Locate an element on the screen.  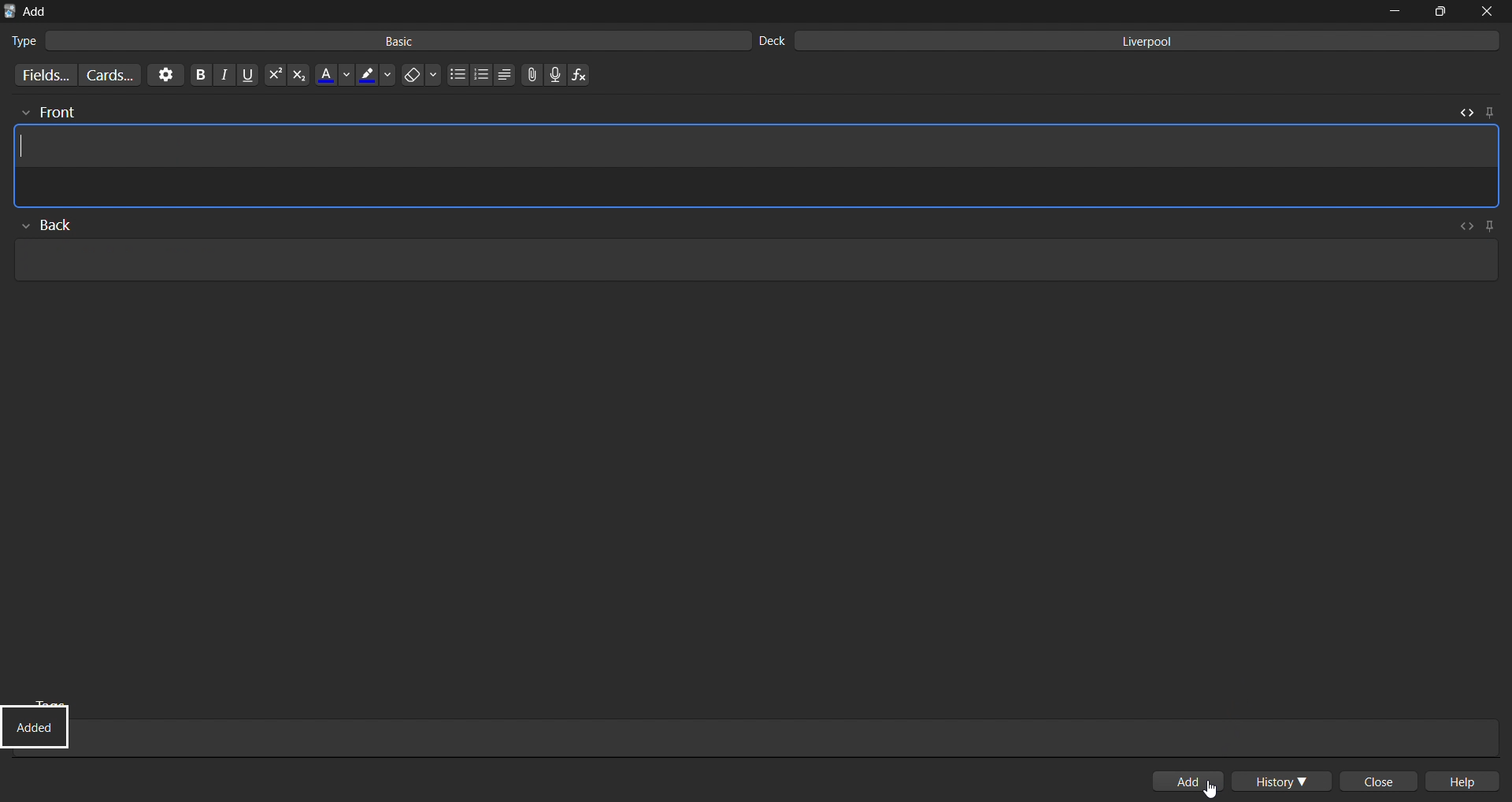
superscript is located at coordinates (273, 76).